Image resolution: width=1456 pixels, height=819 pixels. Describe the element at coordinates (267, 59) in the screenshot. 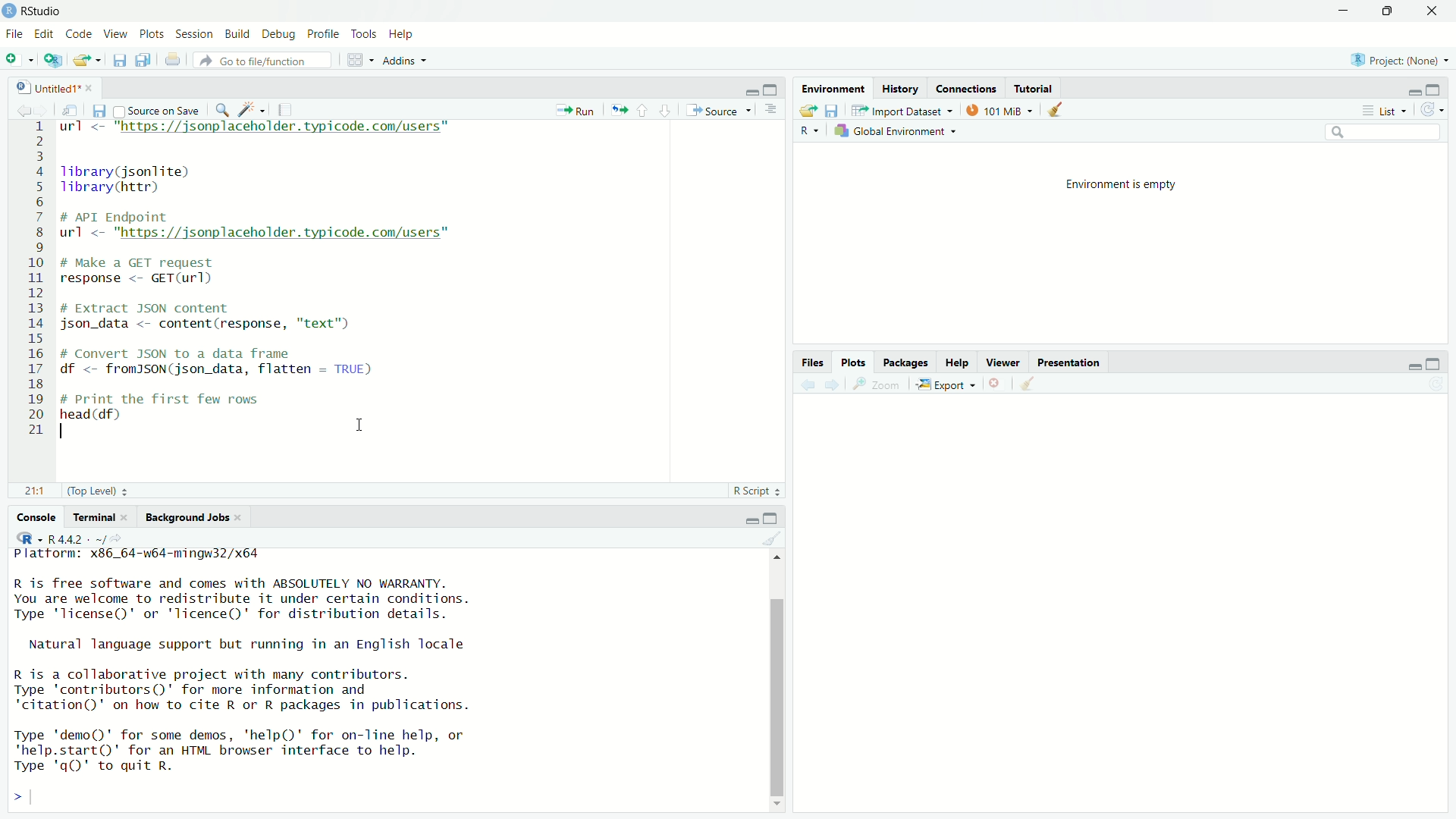

I see `Go to file/function` at that location.